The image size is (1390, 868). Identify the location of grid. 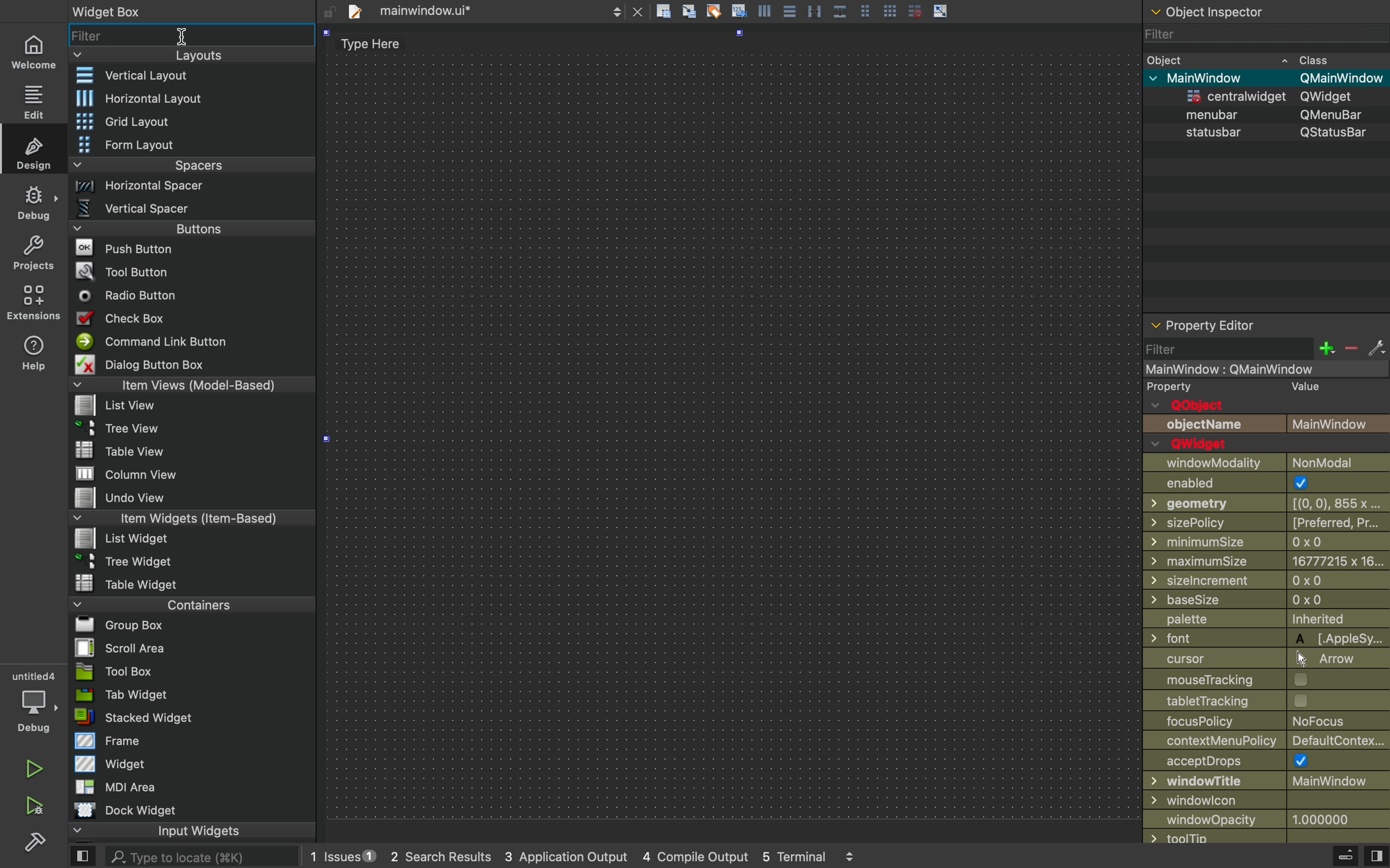
(891, 9).